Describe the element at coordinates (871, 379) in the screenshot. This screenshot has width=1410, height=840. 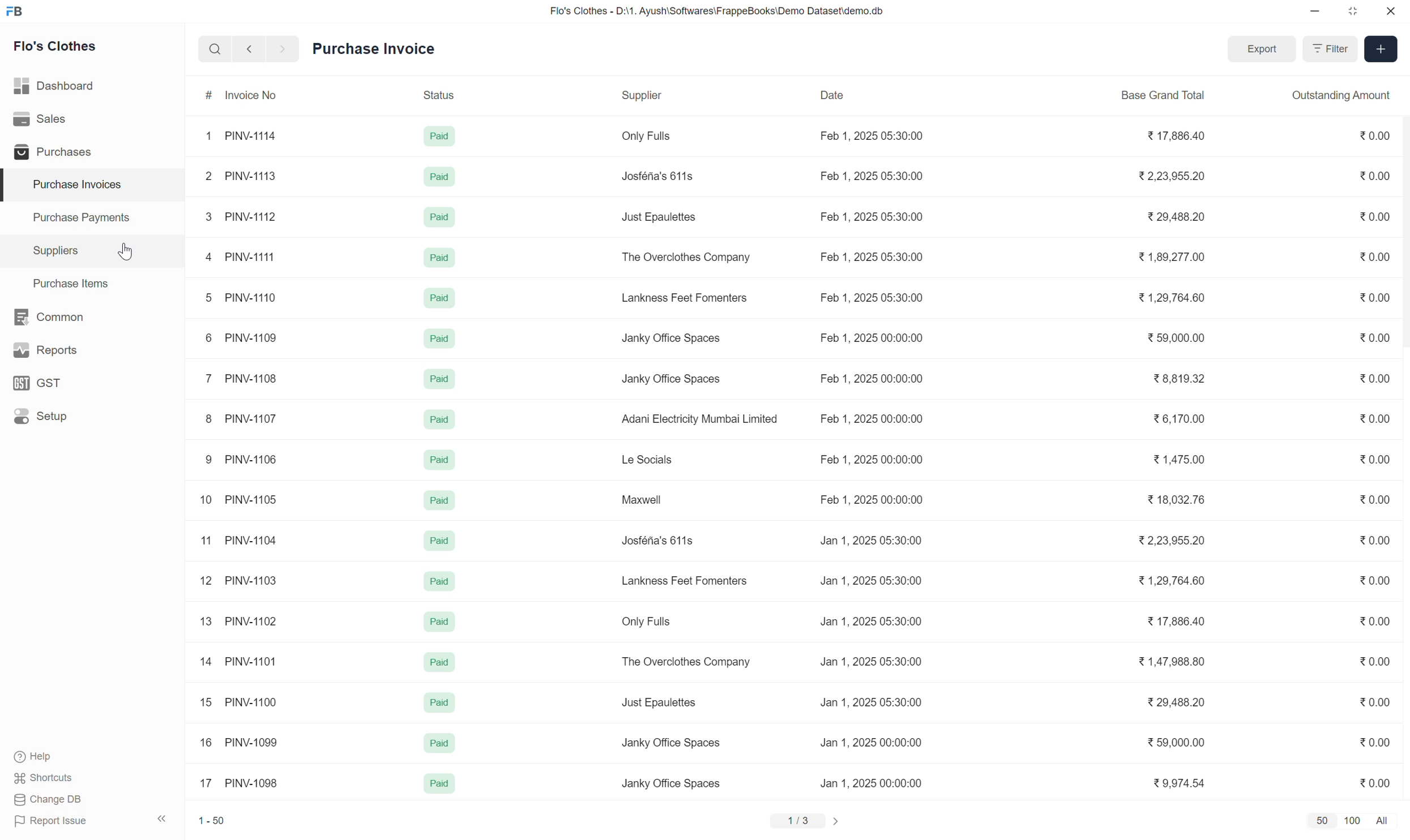
I see `Feb 1, 2025 00:00:00` at that location.